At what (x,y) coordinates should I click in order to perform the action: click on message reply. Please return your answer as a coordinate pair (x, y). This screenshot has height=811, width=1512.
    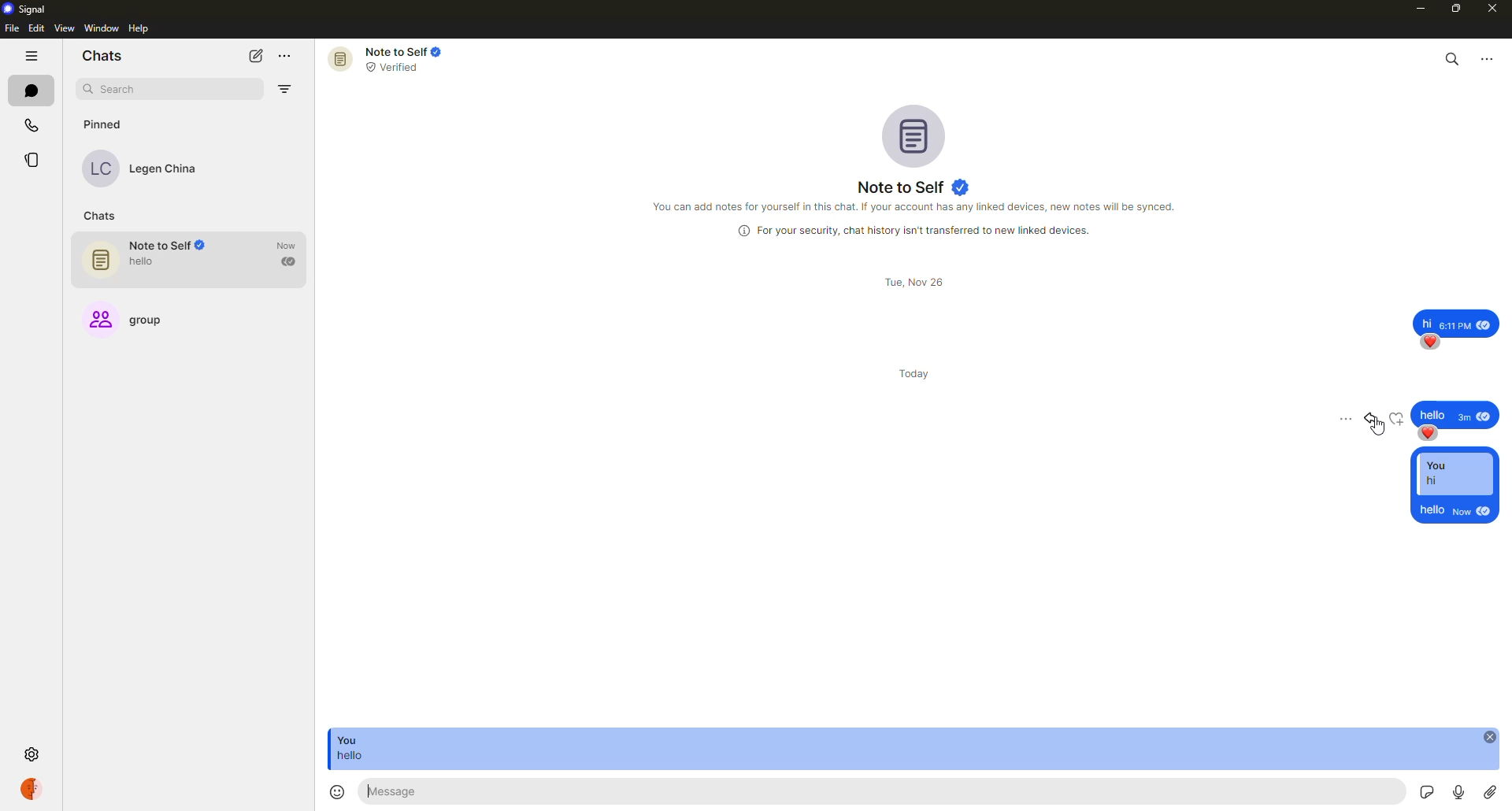
    Looking at the image, I should click on (439, 746).